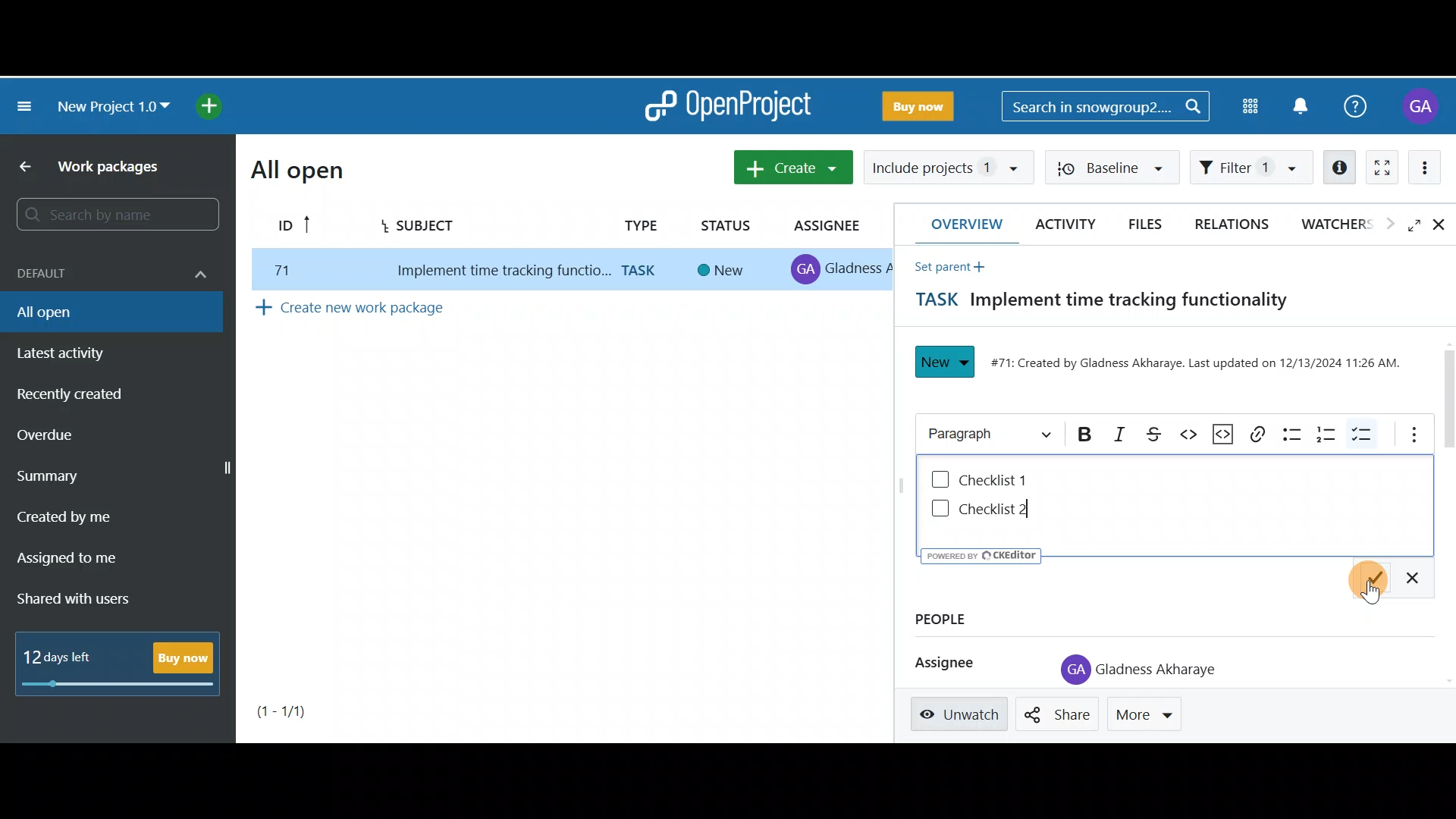 The height and width of the screenshot is (819, 1456). What do you see at coordinates (1442, 226) in the screenshot?
I see `Close details view` at bounding box center [1442, 226].